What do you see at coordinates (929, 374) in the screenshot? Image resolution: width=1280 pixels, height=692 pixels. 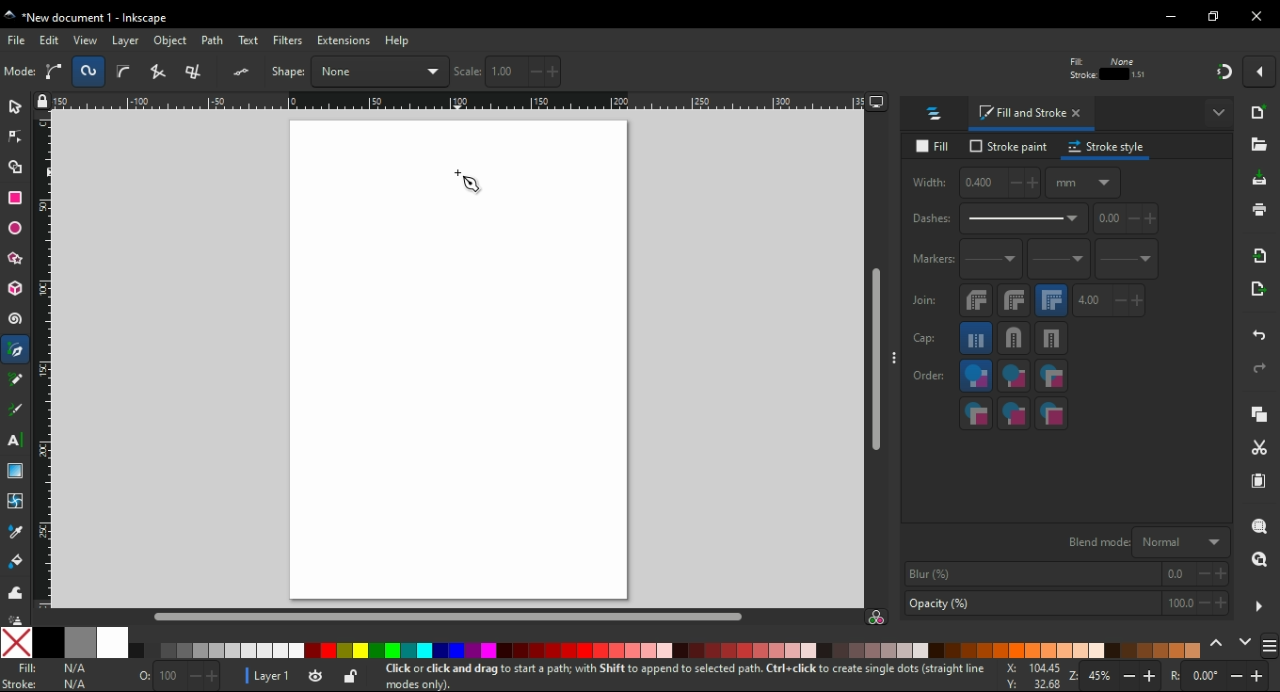 I see `order` at bounding box center [929, 374].